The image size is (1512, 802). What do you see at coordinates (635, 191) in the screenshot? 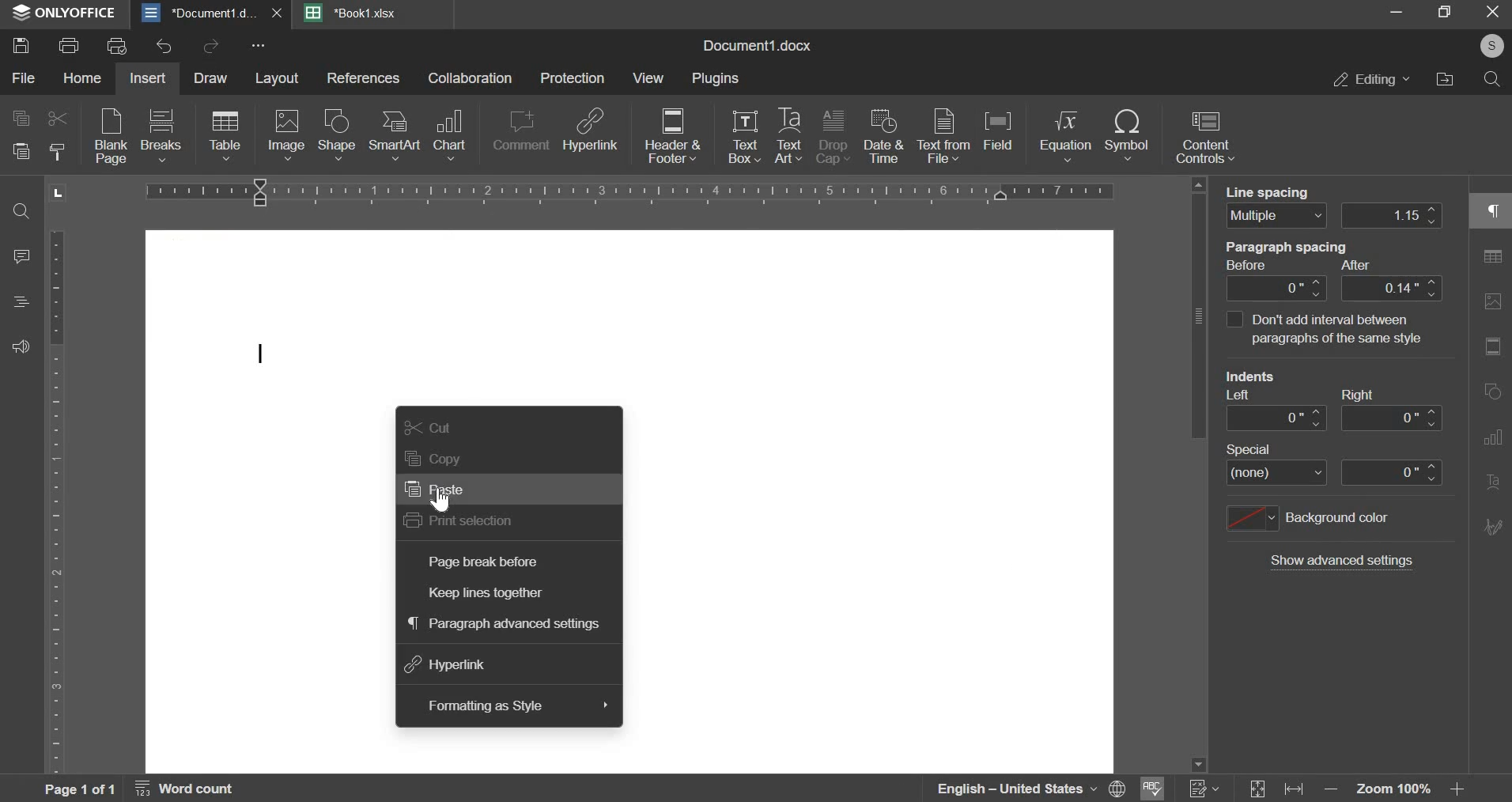
I see `horizontal scale` at bounding box center [635, 191].